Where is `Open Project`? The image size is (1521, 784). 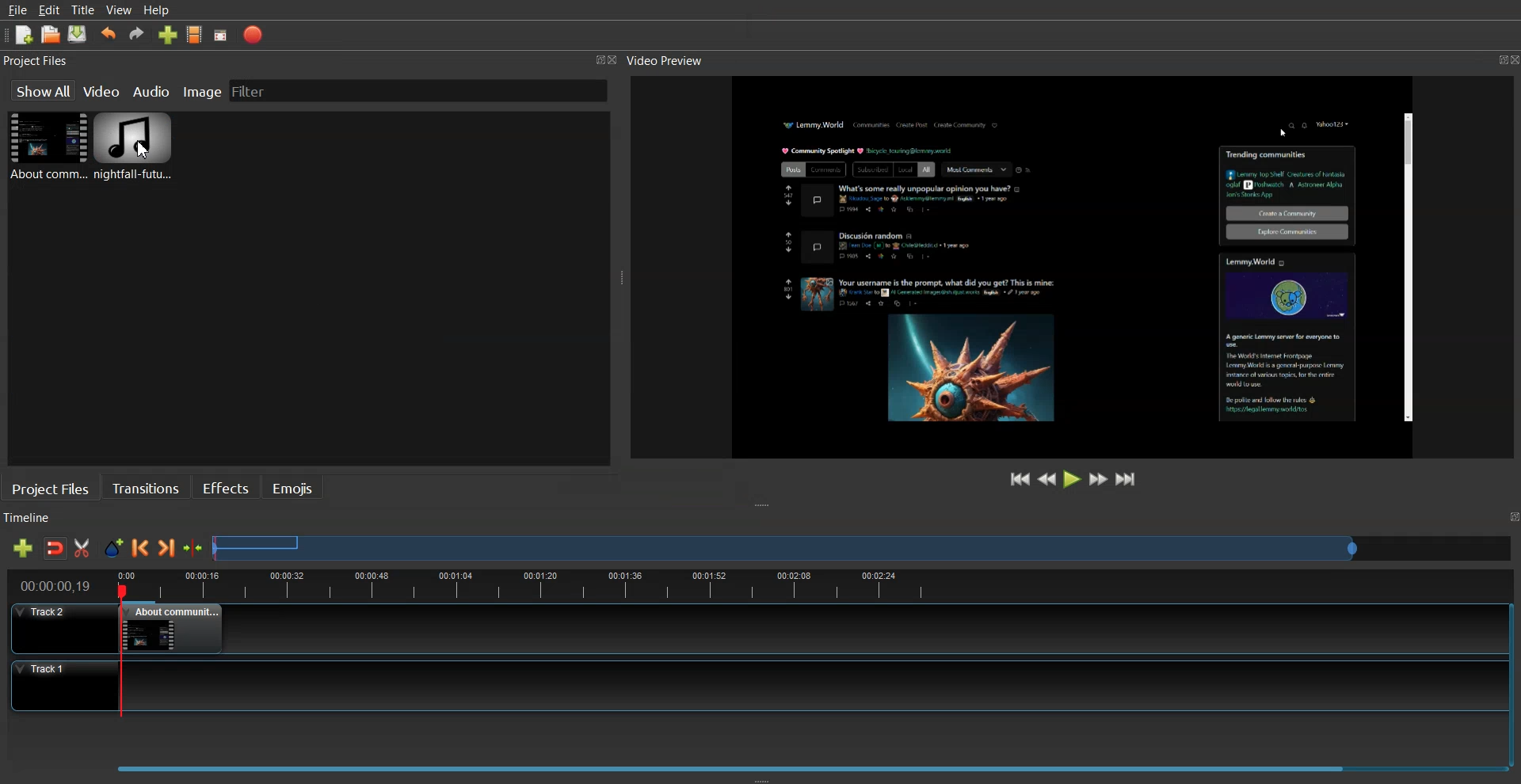
Open Project is located at coordinates (51, 34).